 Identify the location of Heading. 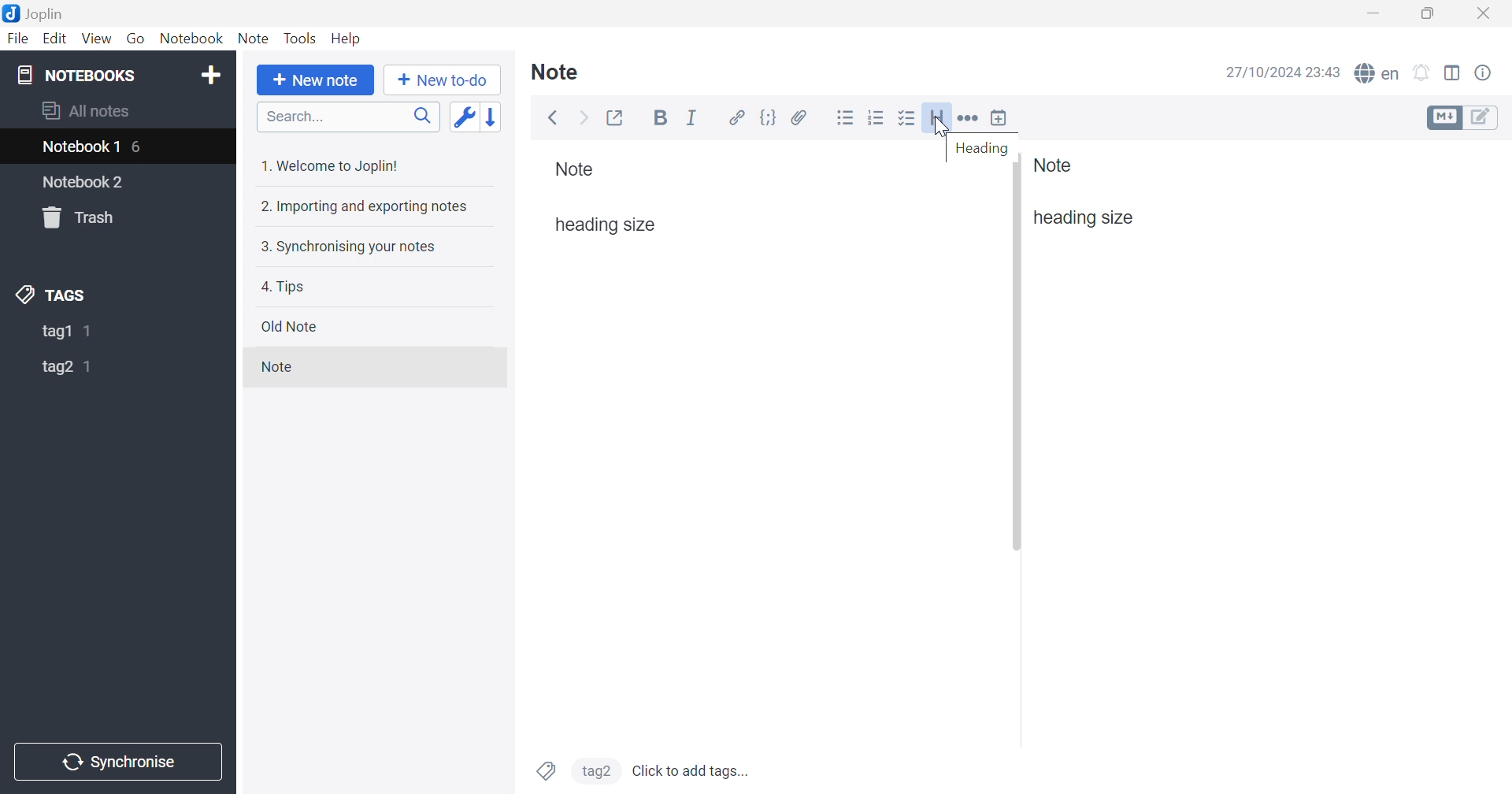
(938, 118).